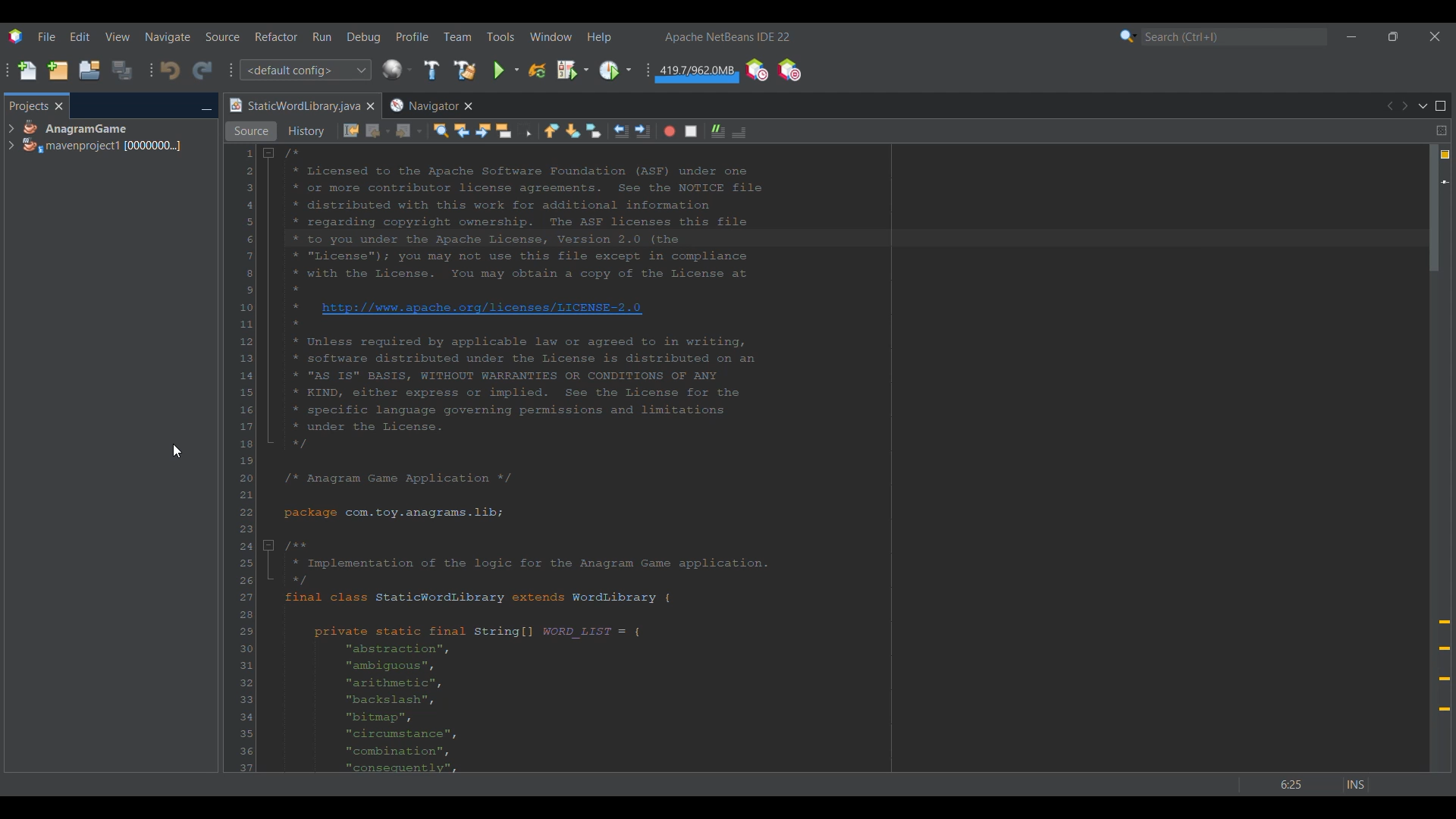 The image size is (1456, 819). What do you see at coordinates (551, 36) in the screenshot?
I see `Window menu` at bounding box center [551, 36].